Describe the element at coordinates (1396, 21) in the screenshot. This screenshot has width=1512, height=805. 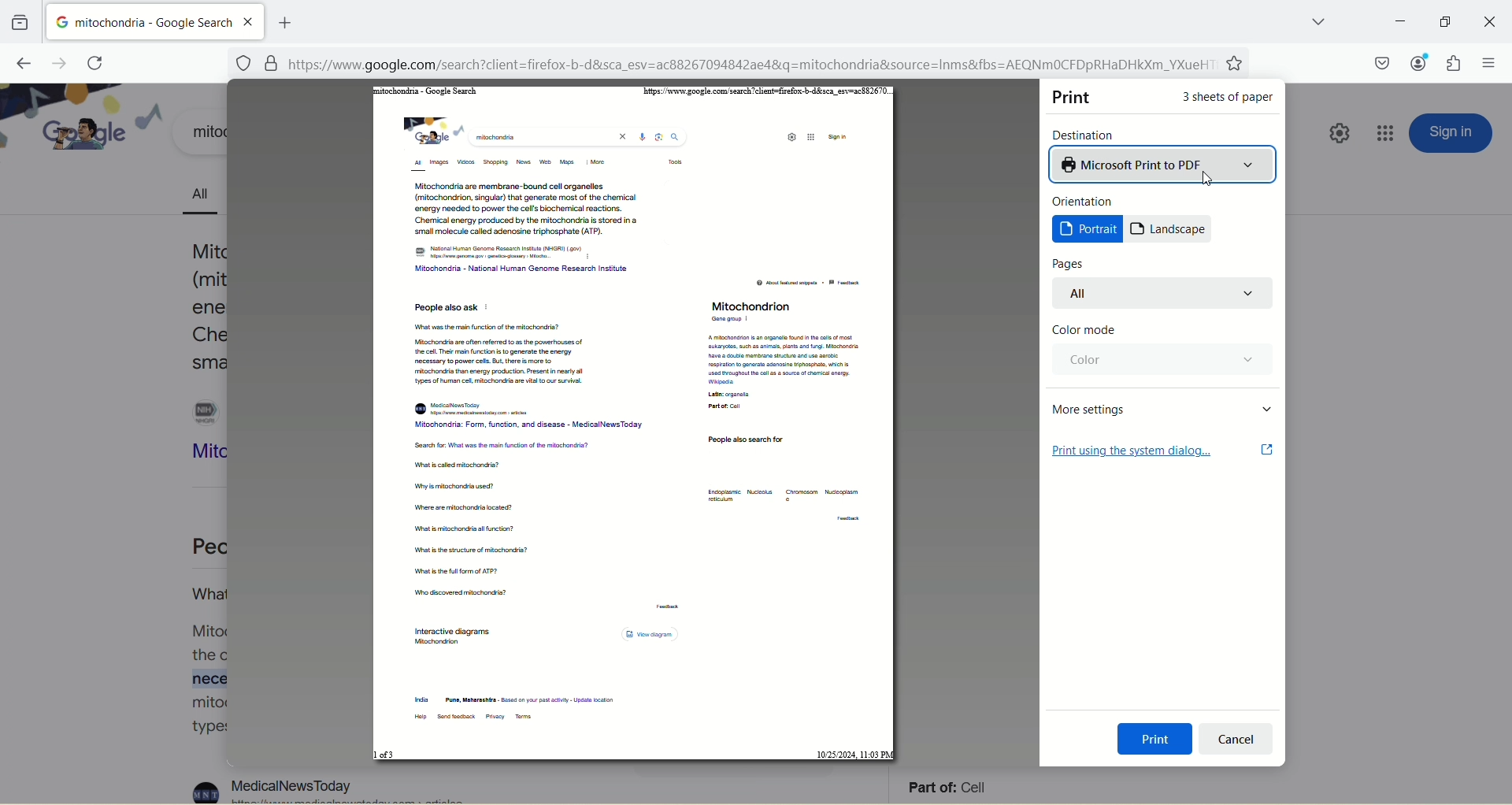
I see `minimize` at that location.